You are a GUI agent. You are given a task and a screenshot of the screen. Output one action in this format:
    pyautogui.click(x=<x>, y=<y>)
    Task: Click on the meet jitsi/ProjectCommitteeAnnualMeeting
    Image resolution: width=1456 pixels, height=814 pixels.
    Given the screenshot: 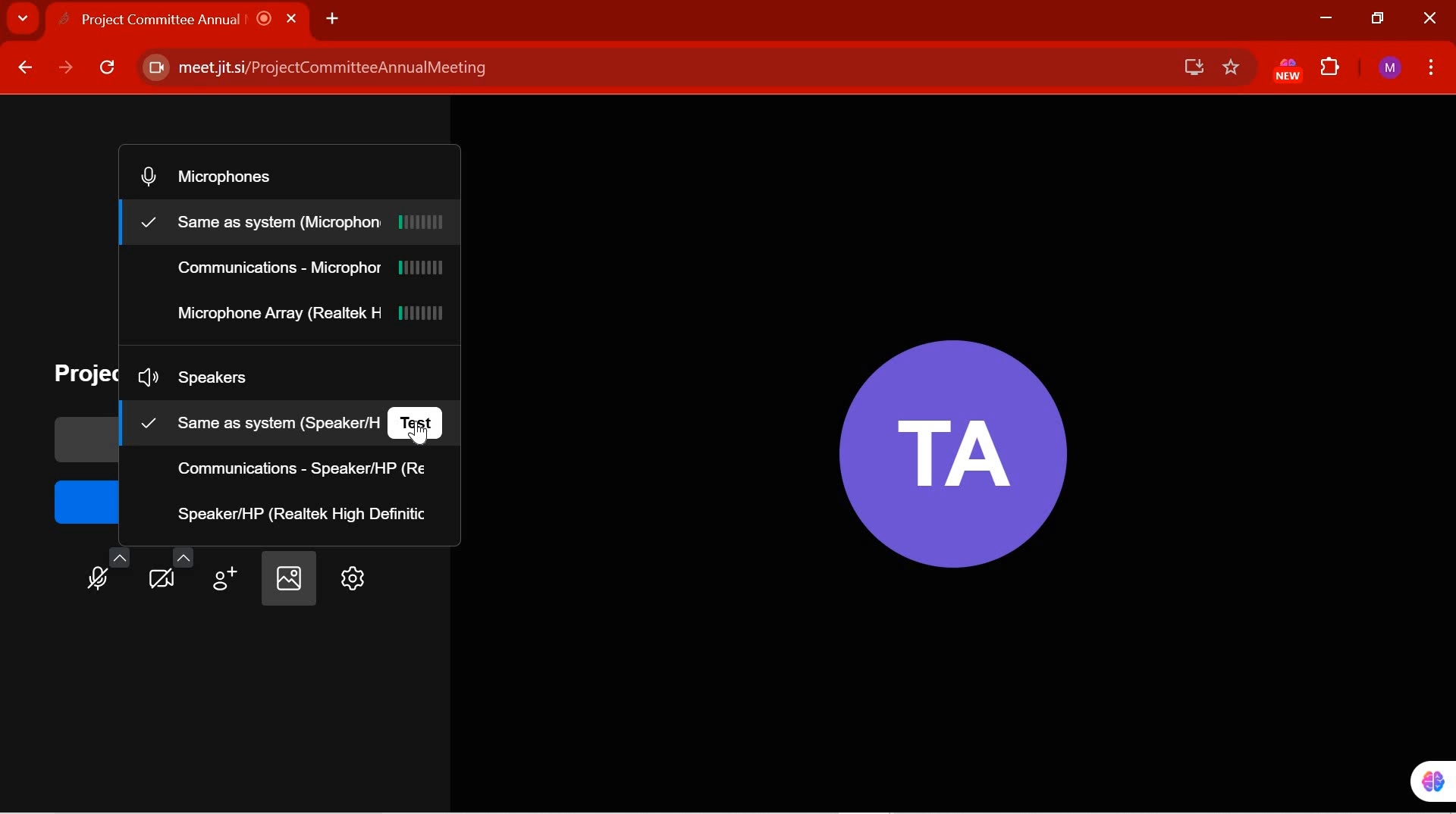 What is the action you would take?
    pyautogui.click(x=647, y=68)
    